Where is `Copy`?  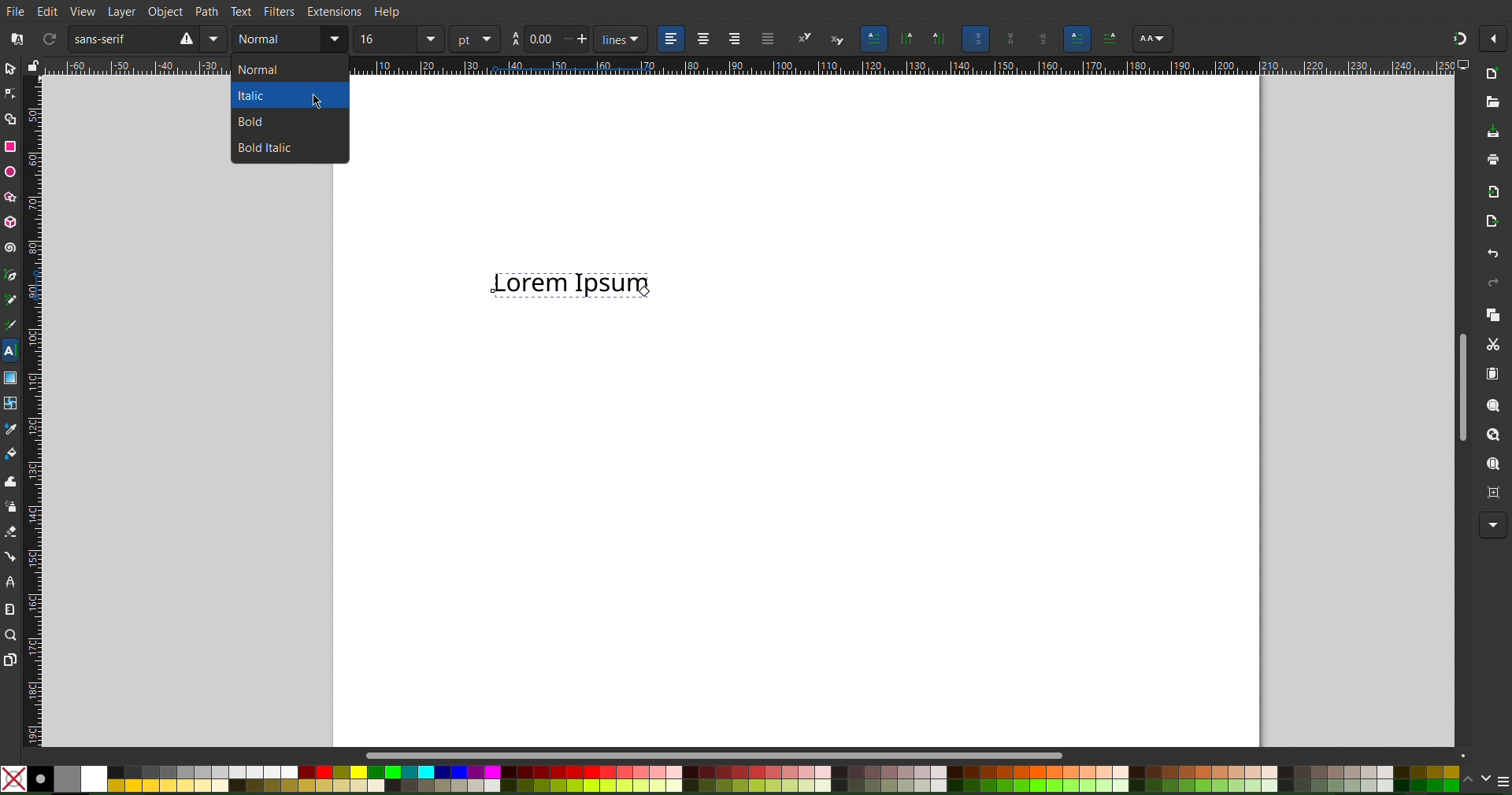 Copy is located at coordinates (1489, 316).